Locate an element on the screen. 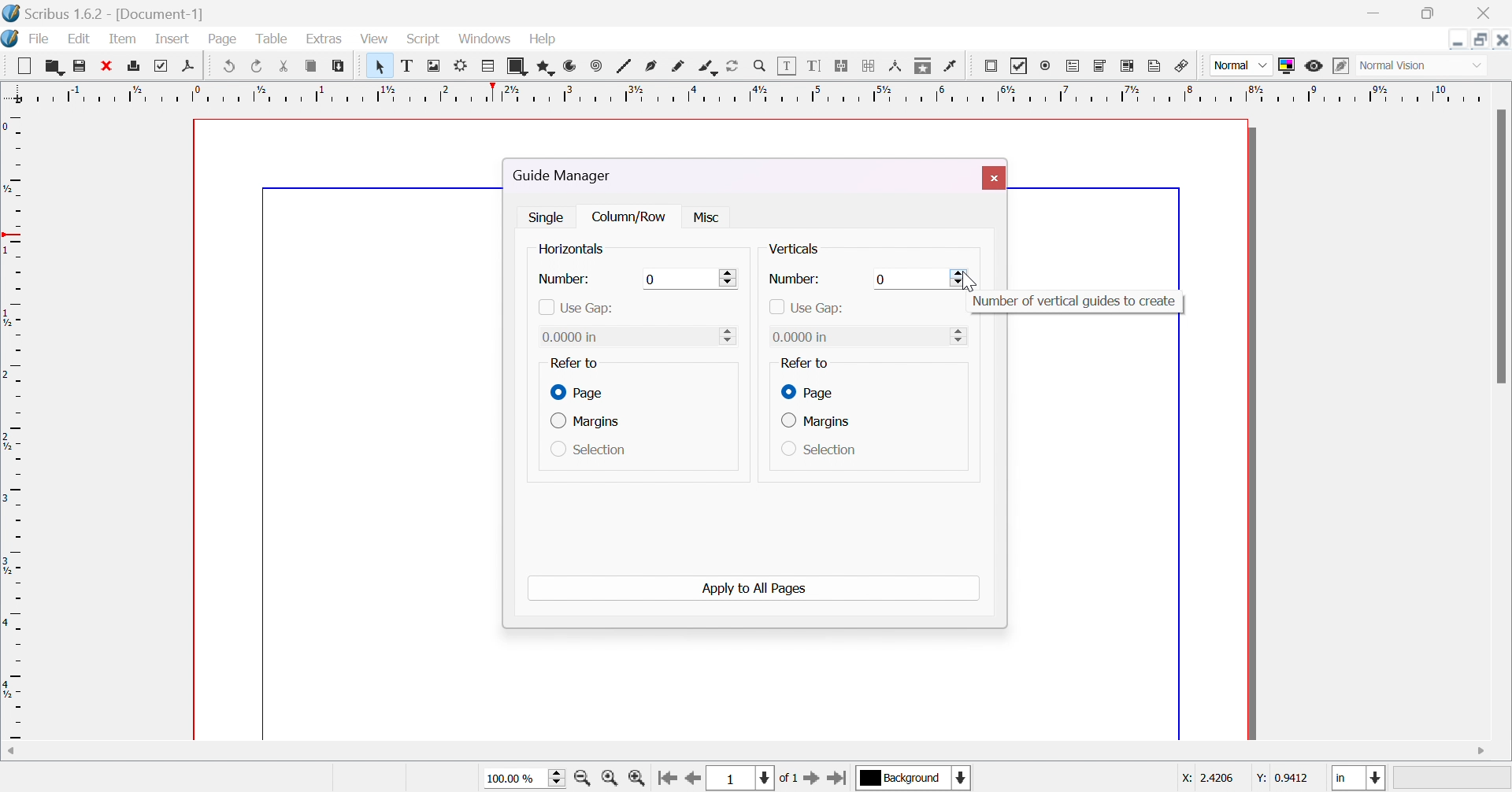  Cursor is located at coordinates (968, 285).